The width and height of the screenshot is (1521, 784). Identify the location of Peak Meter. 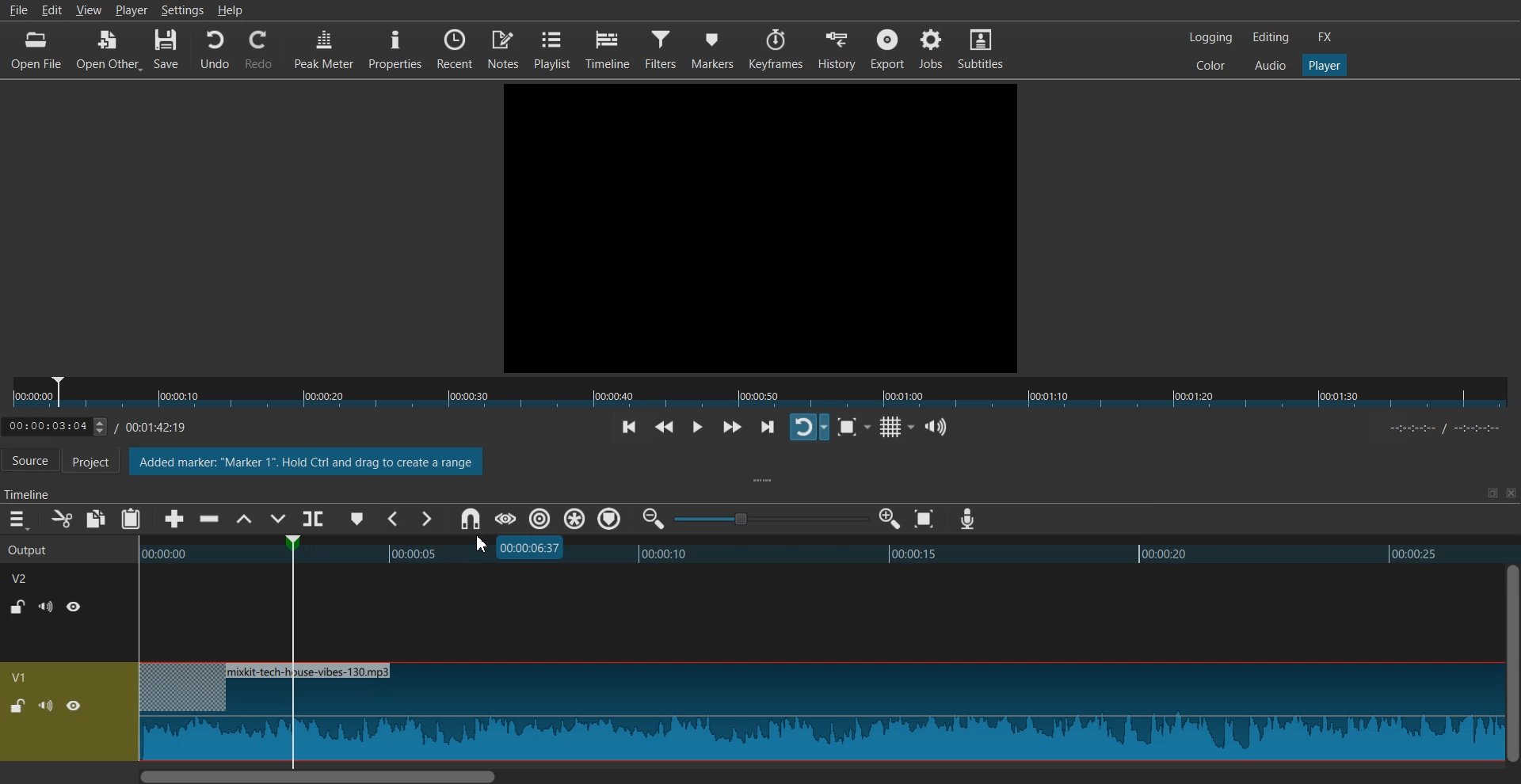
(324, 48).